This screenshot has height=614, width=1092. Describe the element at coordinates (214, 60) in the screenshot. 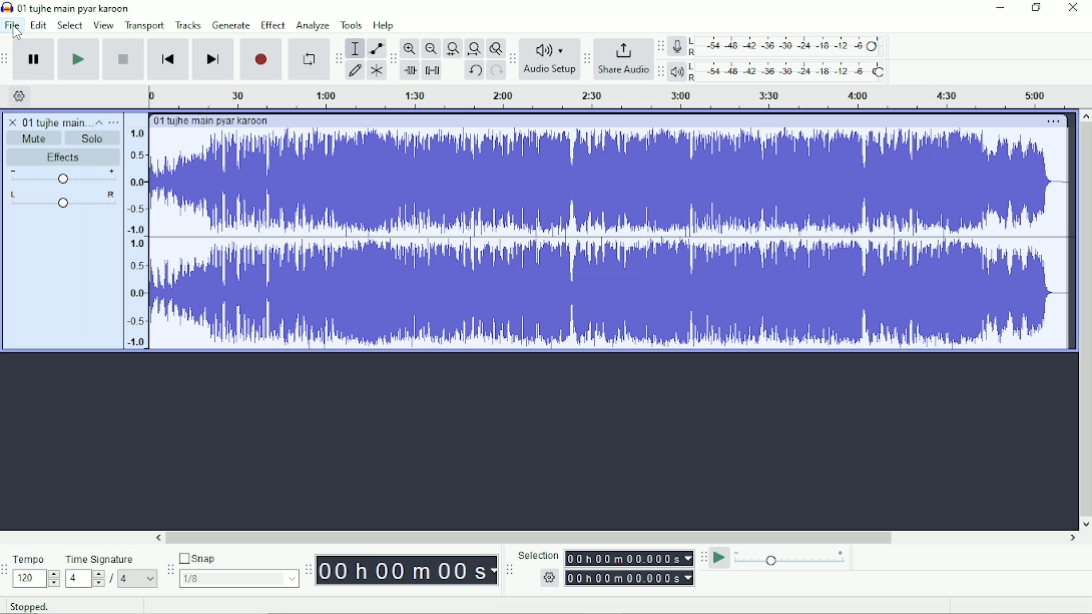

I see `Skip to end` at that location.